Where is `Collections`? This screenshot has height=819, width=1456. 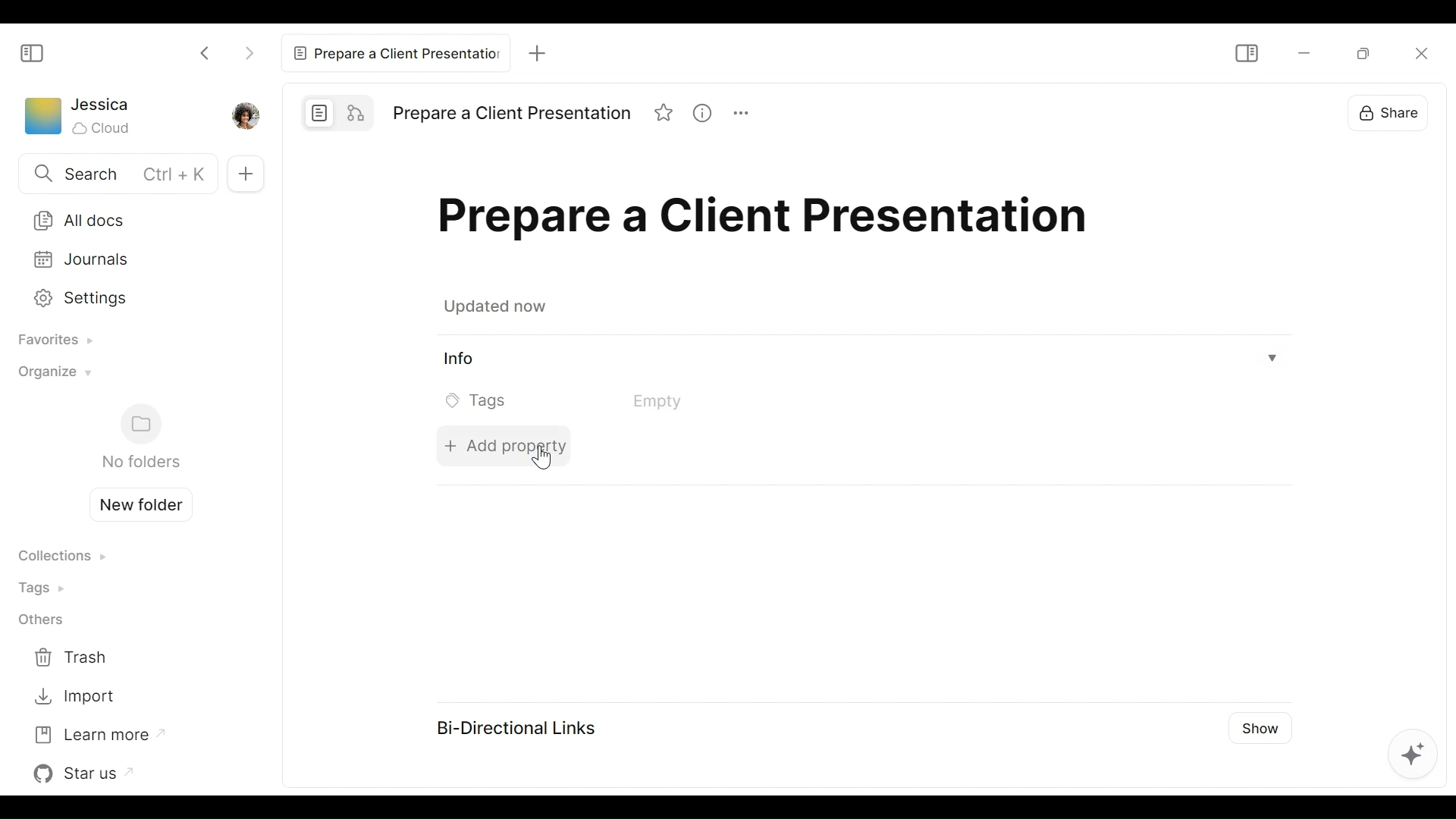
Collections is located at coordinates (61, 557).